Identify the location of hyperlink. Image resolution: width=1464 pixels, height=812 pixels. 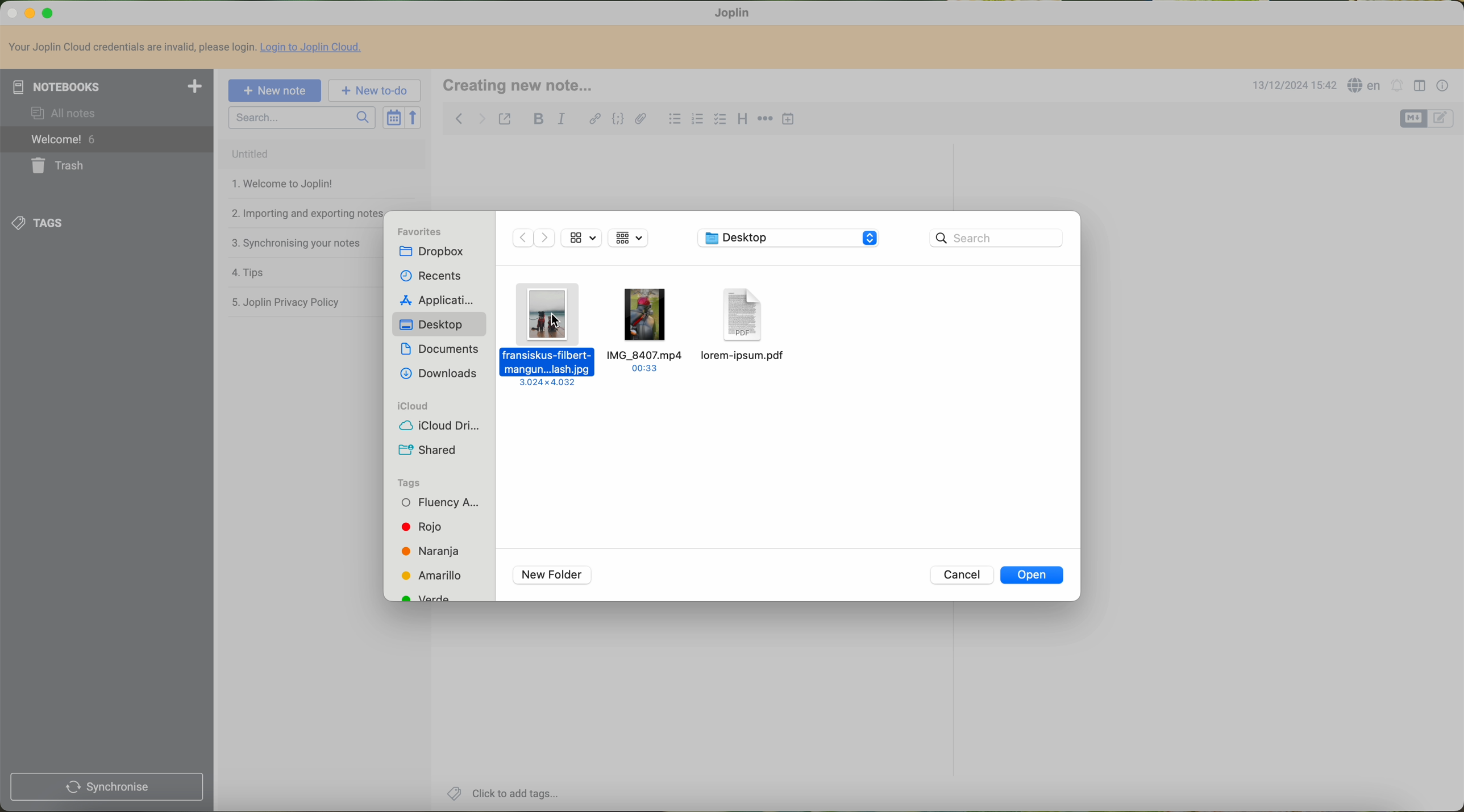
(595, 118).